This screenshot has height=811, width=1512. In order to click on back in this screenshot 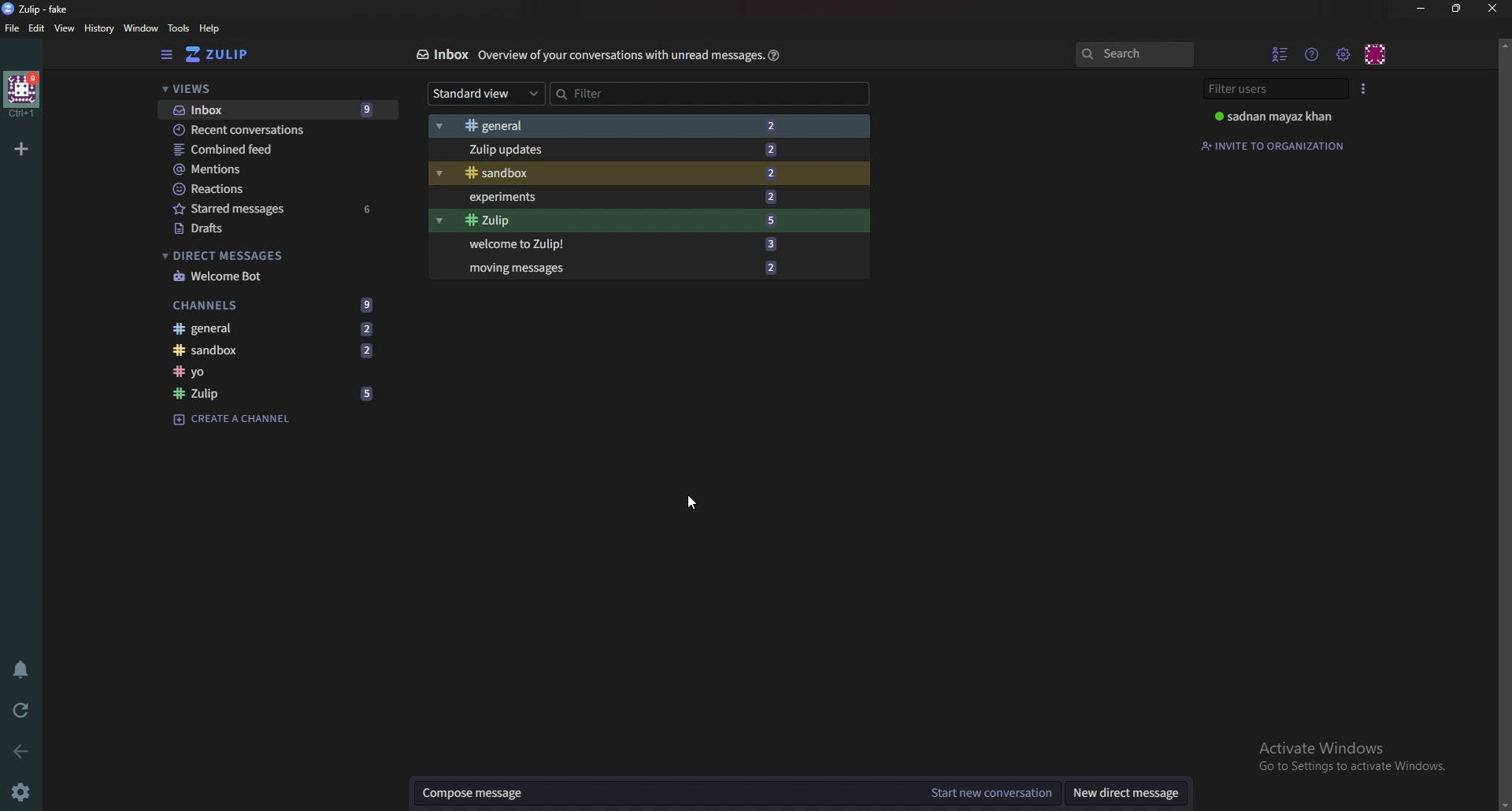, I will do `click(21, 752)`.